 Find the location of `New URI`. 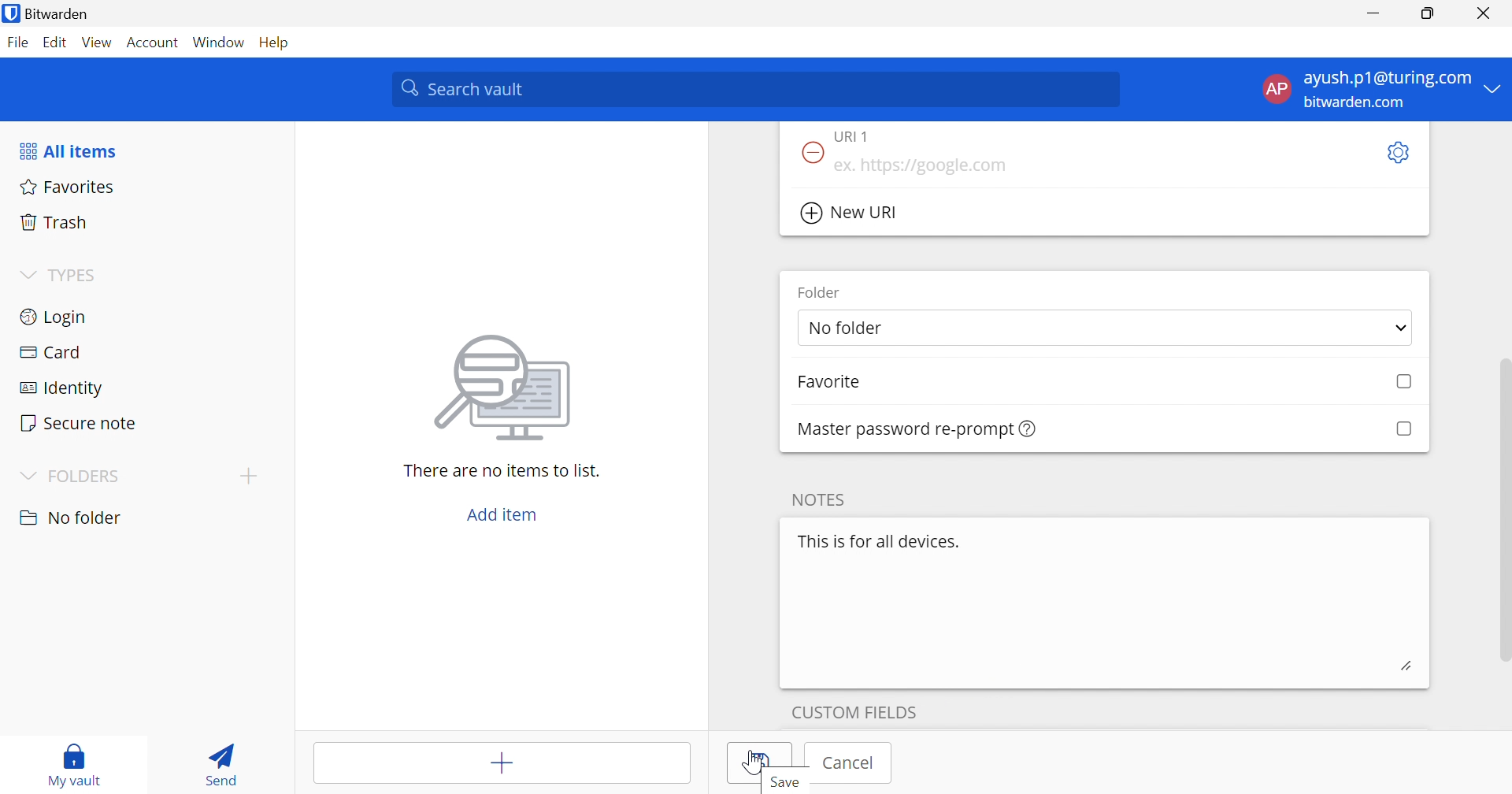

New URI is located at coordinates (851, 213).